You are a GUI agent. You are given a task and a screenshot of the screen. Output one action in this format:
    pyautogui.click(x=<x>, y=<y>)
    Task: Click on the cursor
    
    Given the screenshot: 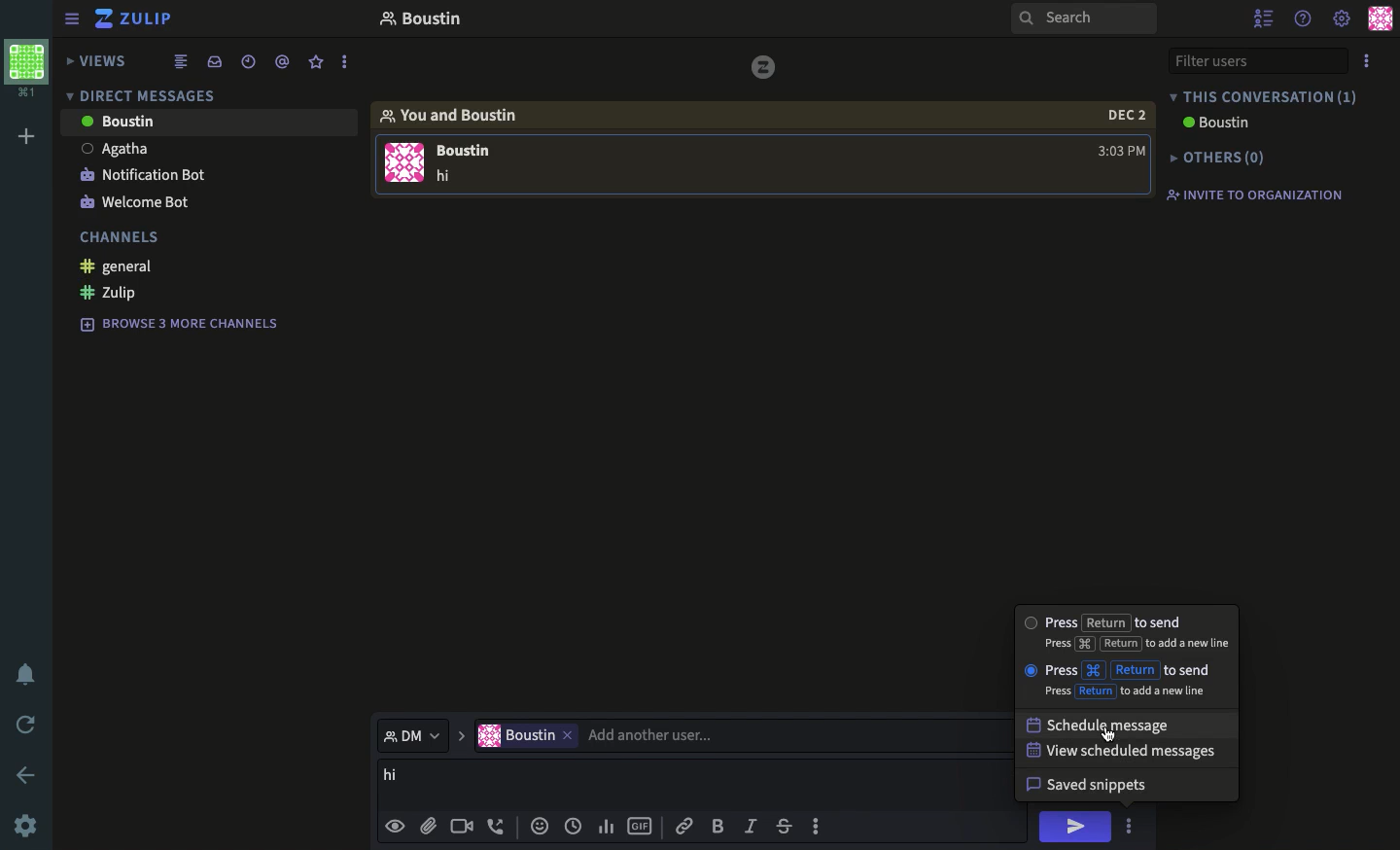 What is the action you would take?
    pyautogui.click(x=1116, y=743)
    